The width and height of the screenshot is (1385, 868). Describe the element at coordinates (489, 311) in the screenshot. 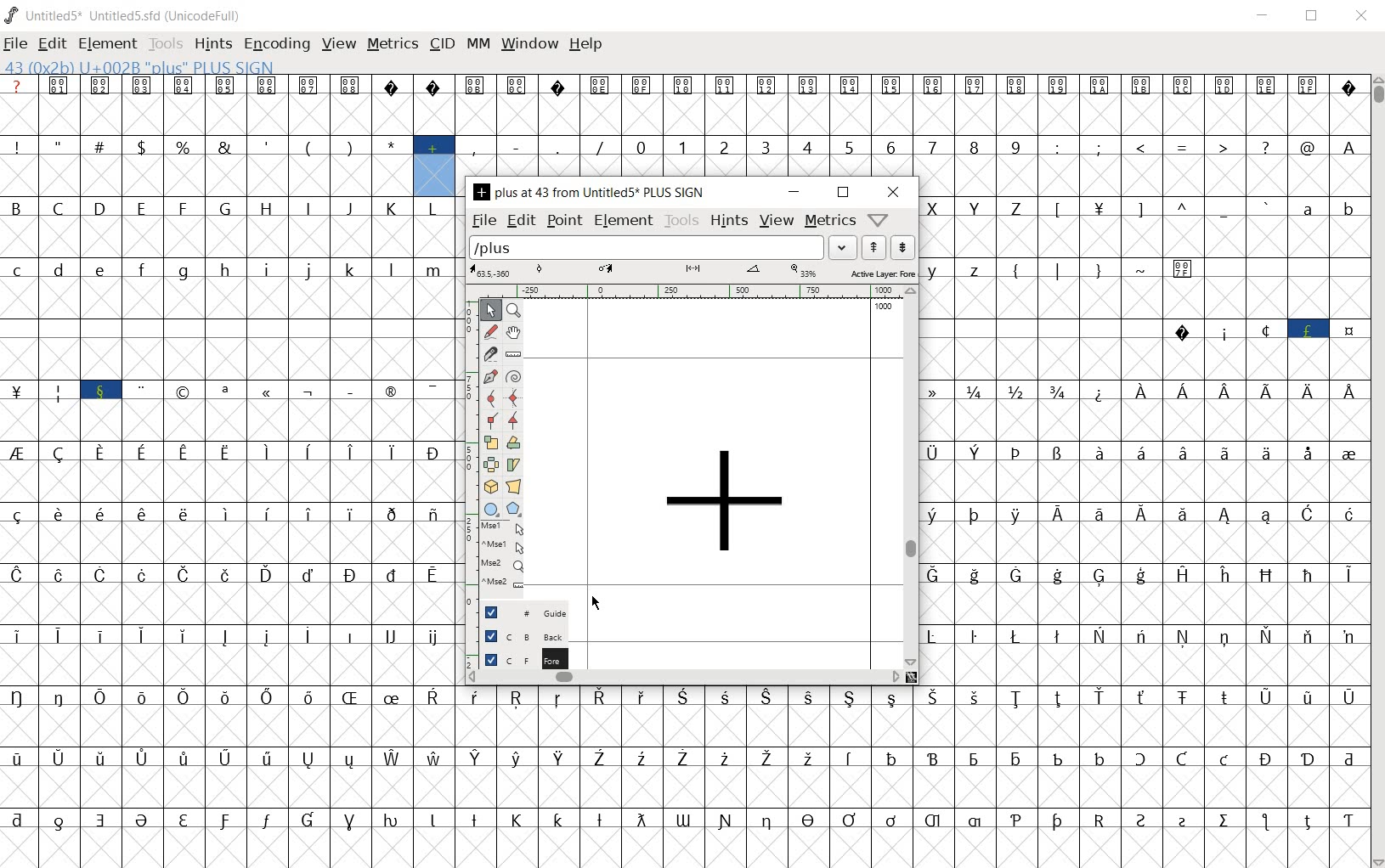

I see `POINTER` at that location.